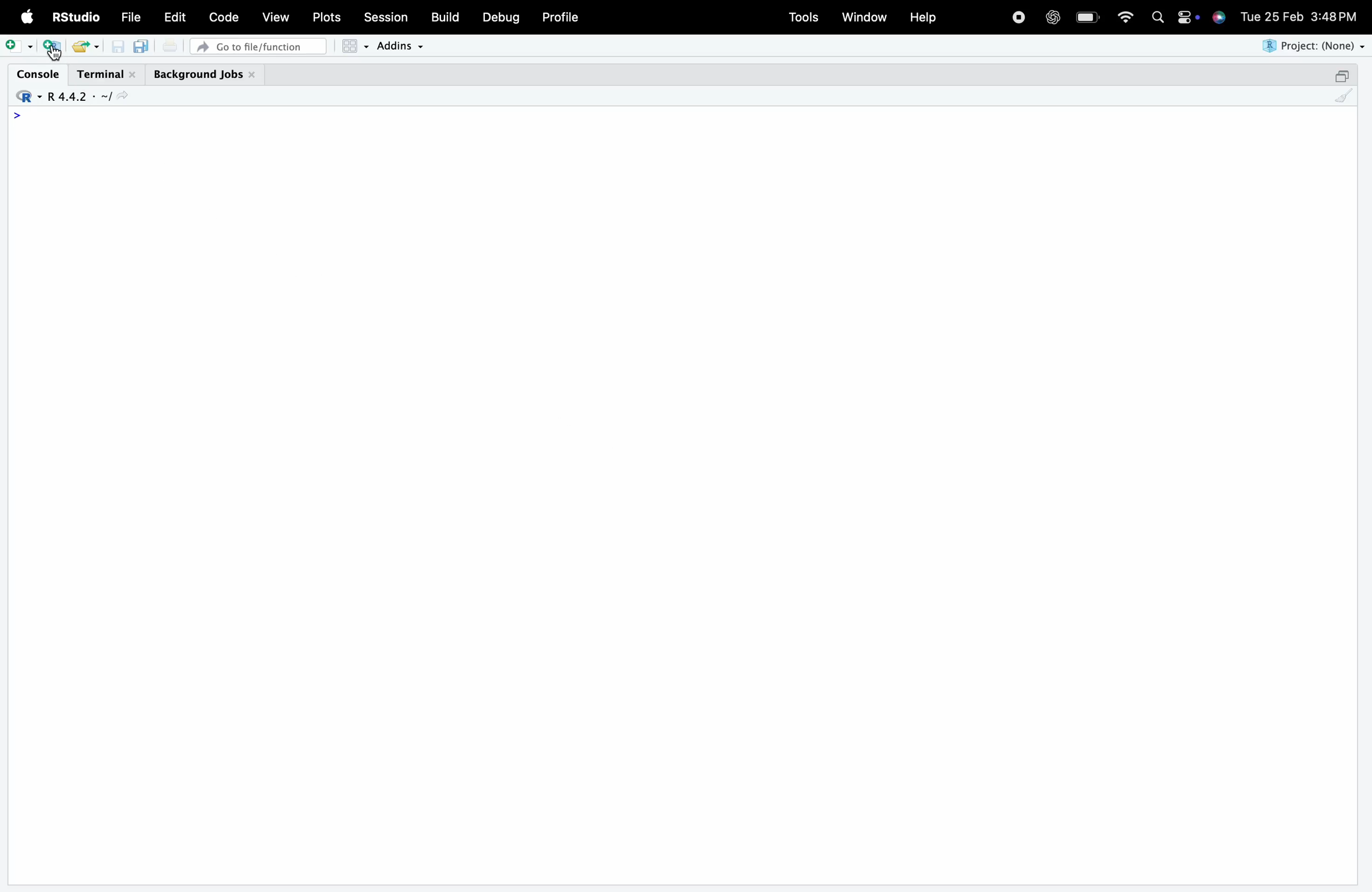  Describe the element at coordinates (122, 96) in the screenshot. I see `view the current working directory` at that location.